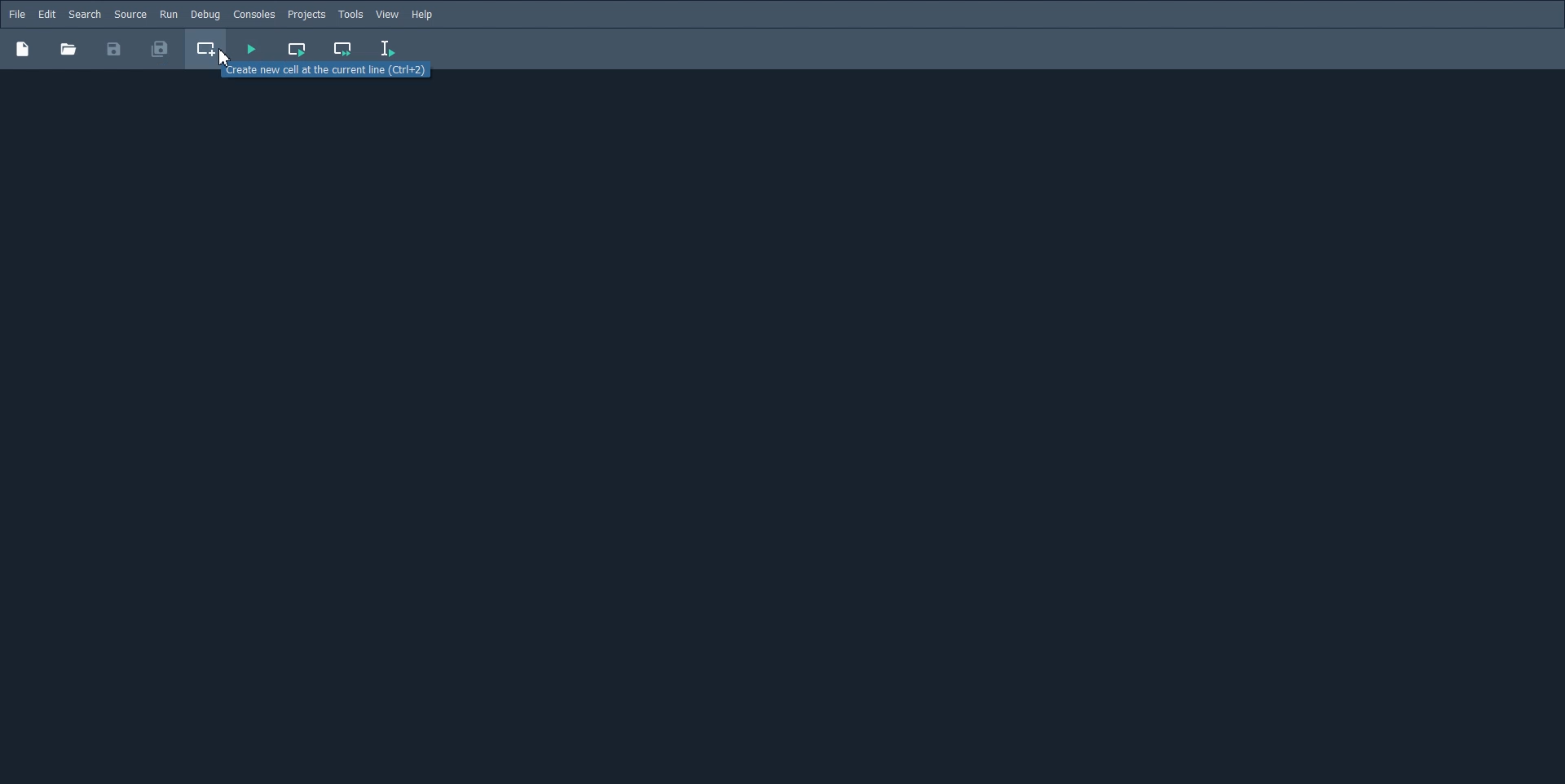  I want to click on Save File, so click(114, 49).